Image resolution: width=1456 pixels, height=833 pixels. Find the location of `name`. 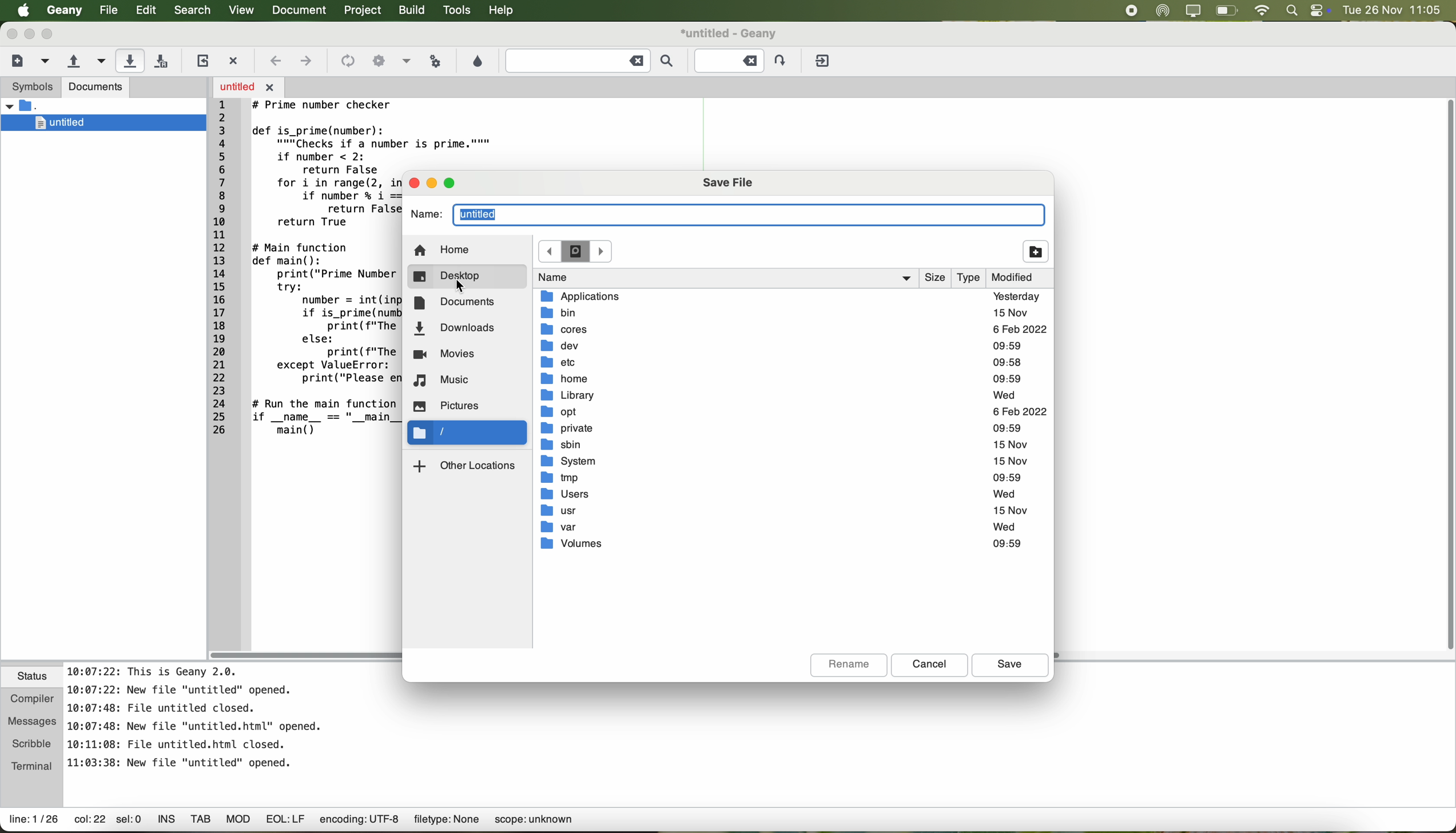

name is located at coordinates (729, 216).